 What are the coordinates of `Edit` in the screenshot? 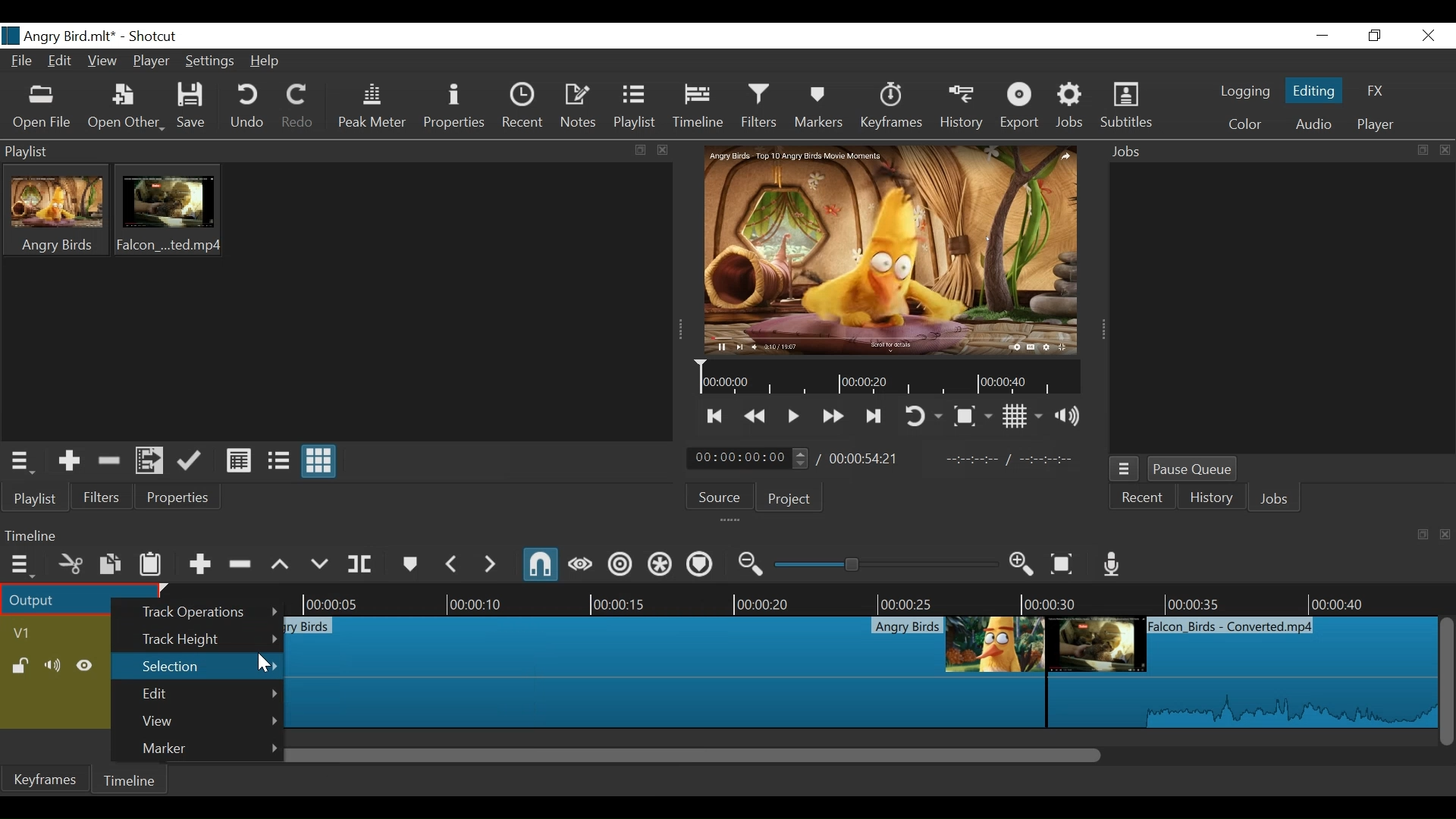 It's located at (61, 62).